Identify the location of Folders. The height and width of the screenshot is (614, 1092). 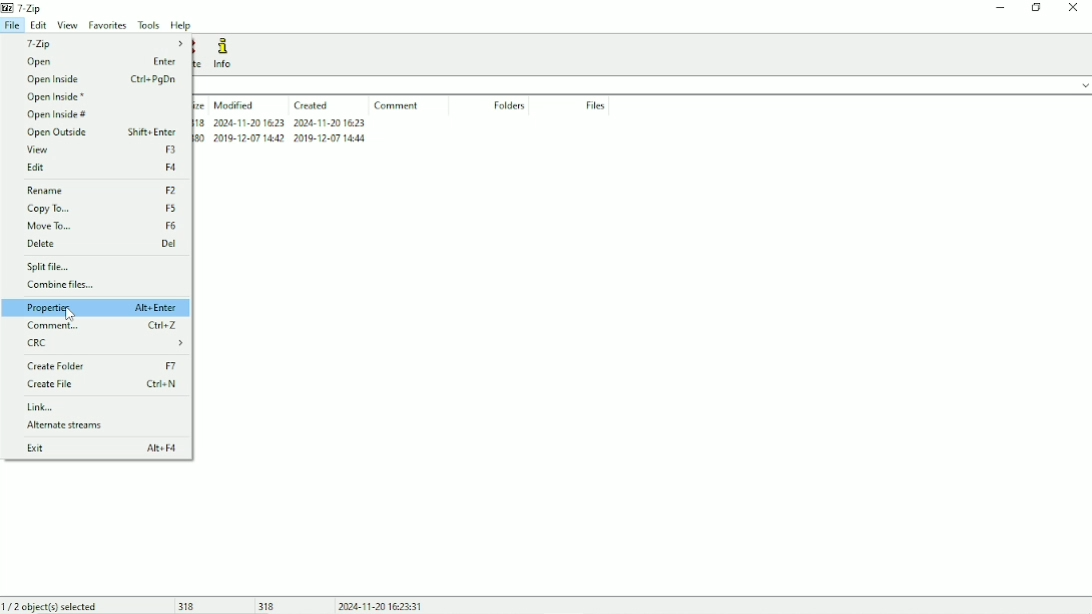
(510, 105).